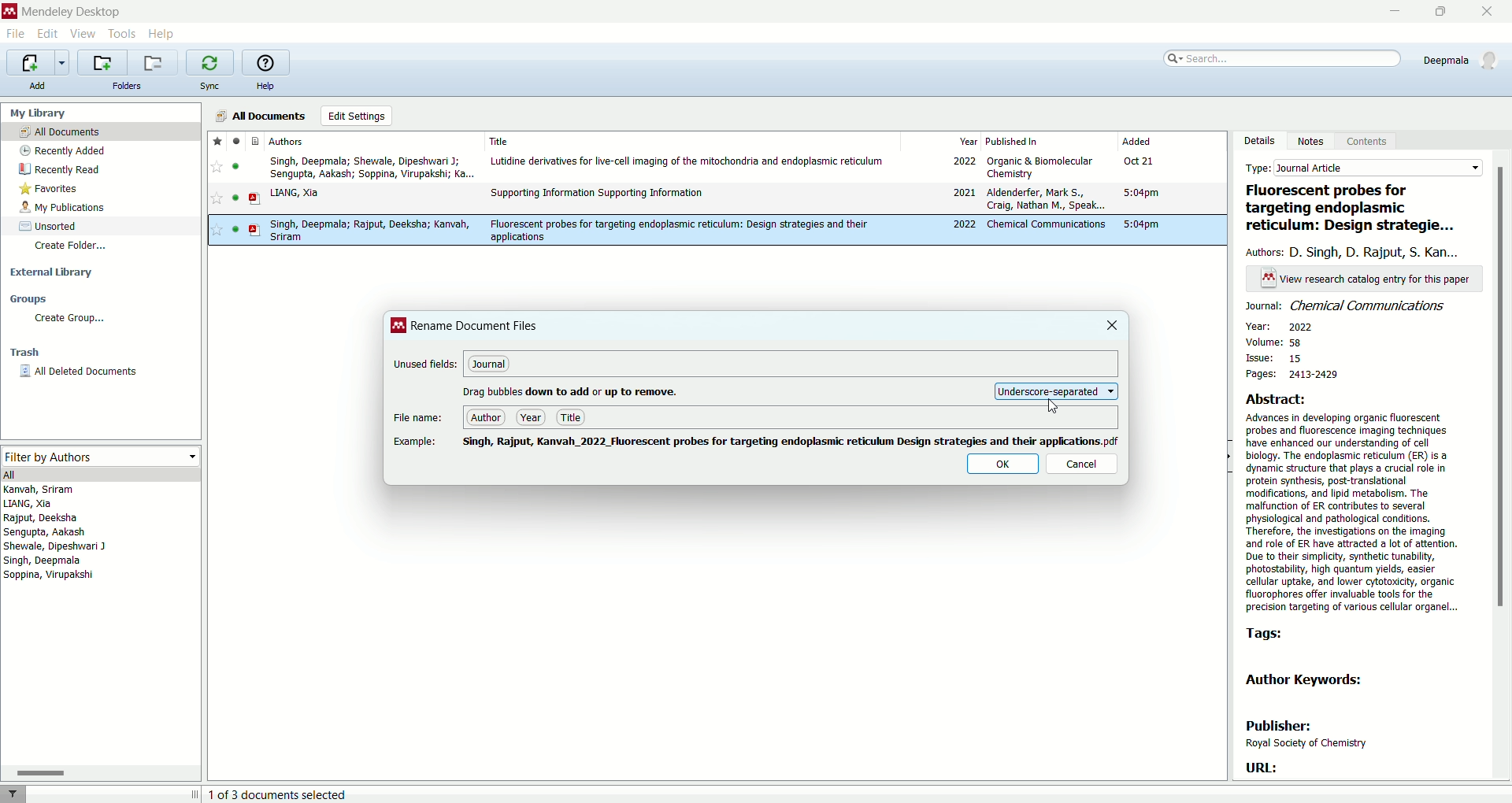  I want to click on maximize, so click(1442, 12).